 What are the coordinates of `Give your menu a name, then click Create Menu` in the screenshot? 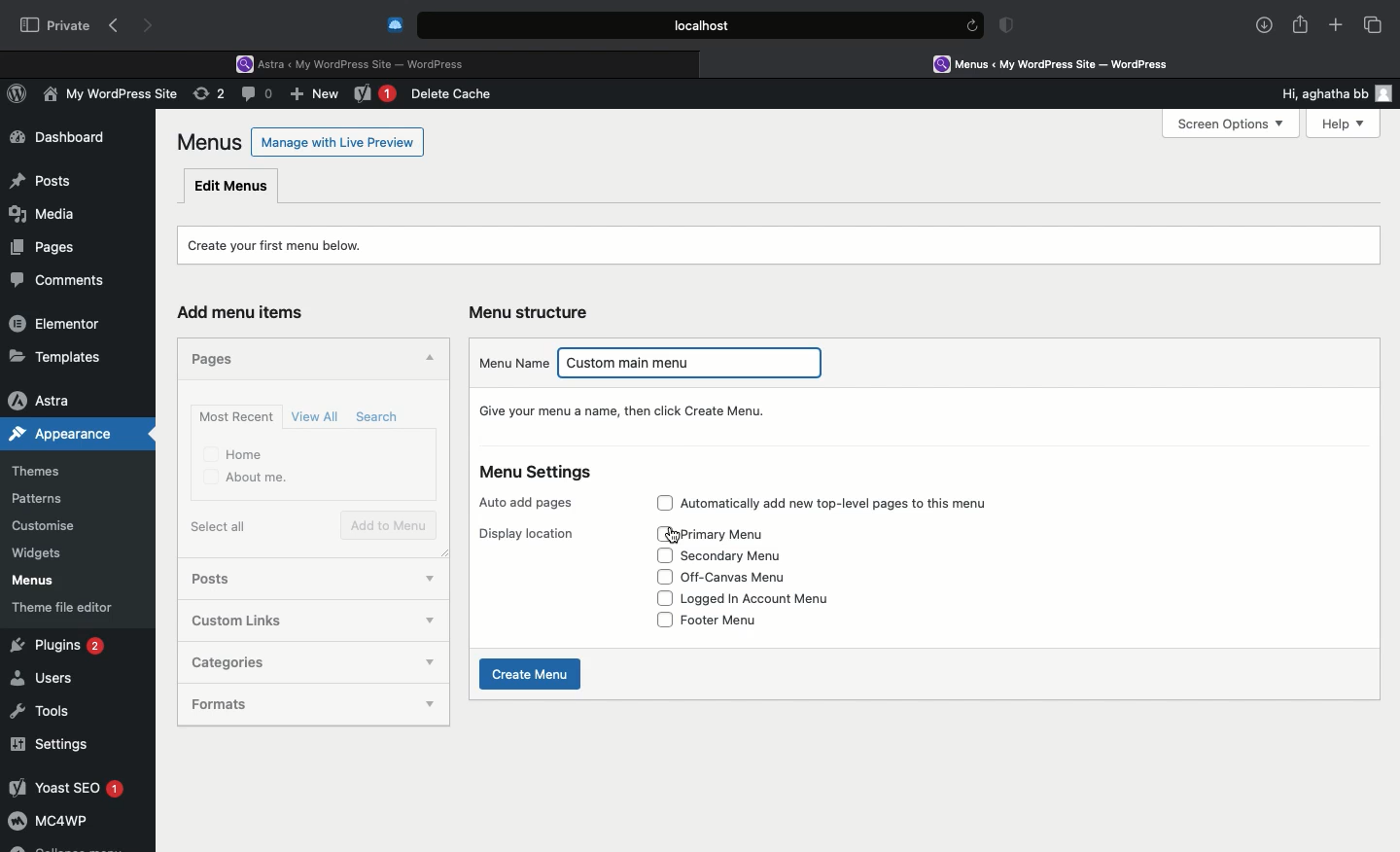 It's located at (629, 410).